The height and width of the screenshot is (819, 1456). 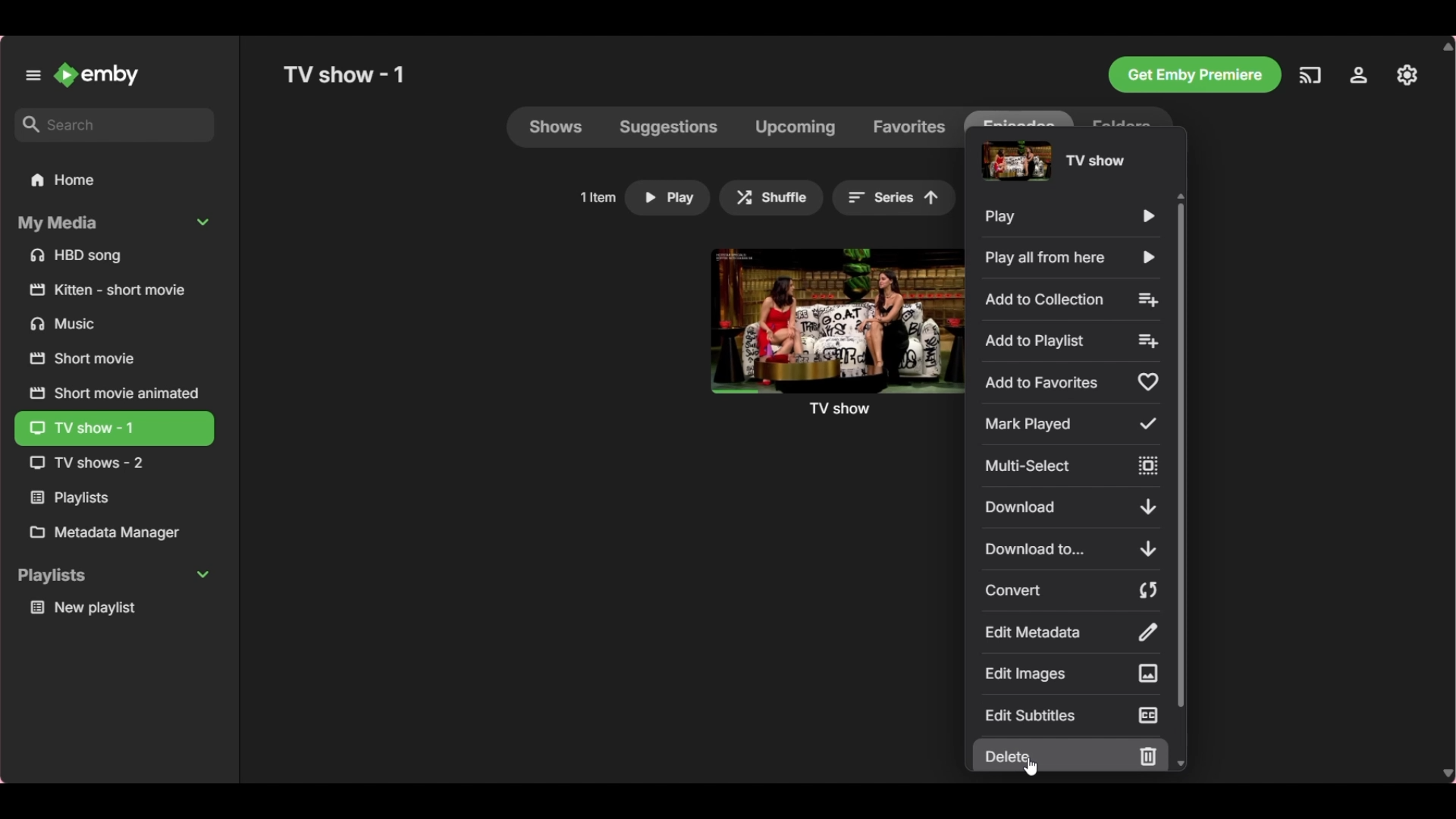 What do you see at coordinates (344, 74) in the screenshot?
I see `Title of current page` at bounding box center [344, 74].